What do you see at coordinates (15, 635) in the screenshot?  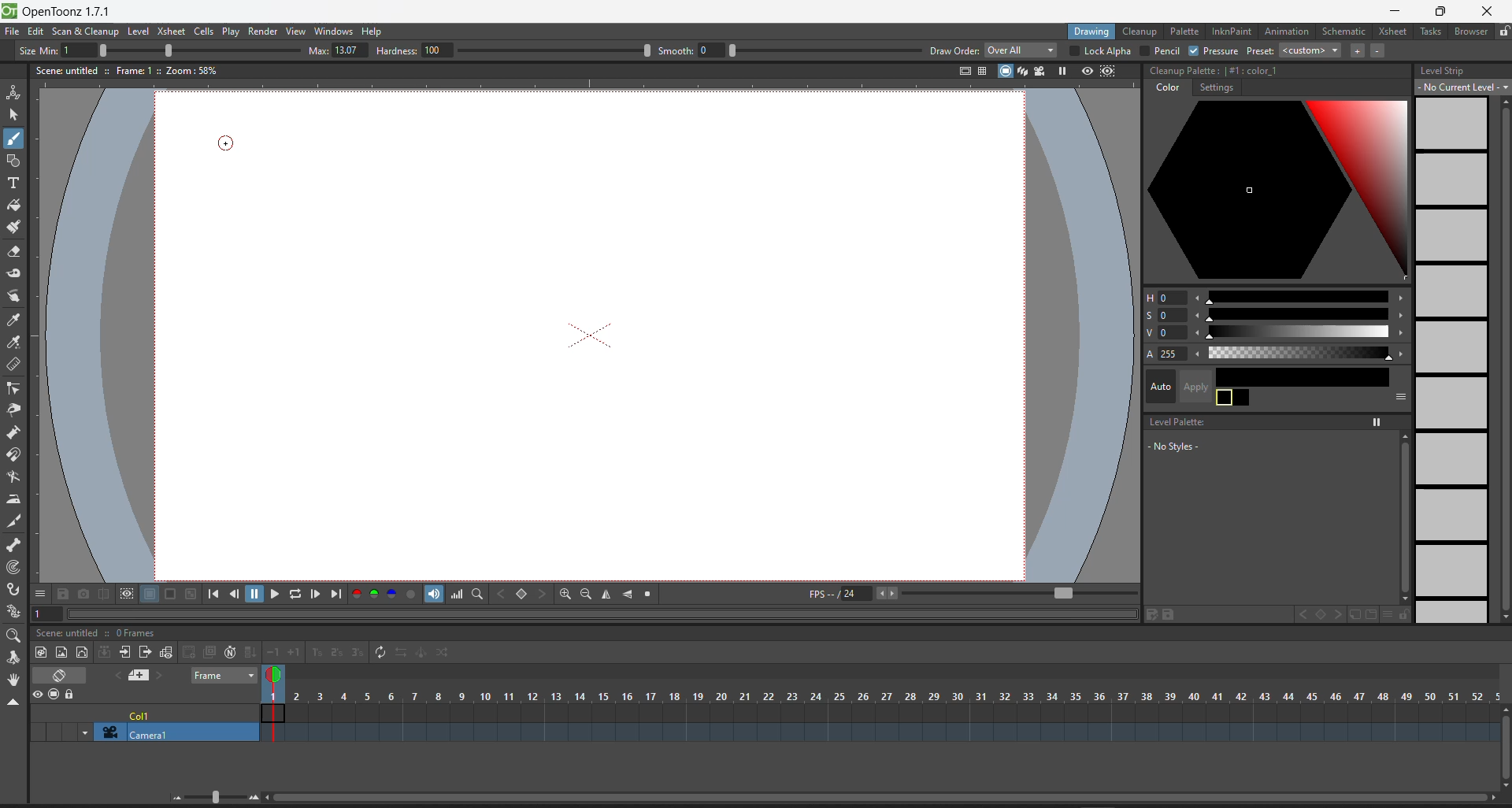 I see `zoom tool` at bounding box center [15, 635].